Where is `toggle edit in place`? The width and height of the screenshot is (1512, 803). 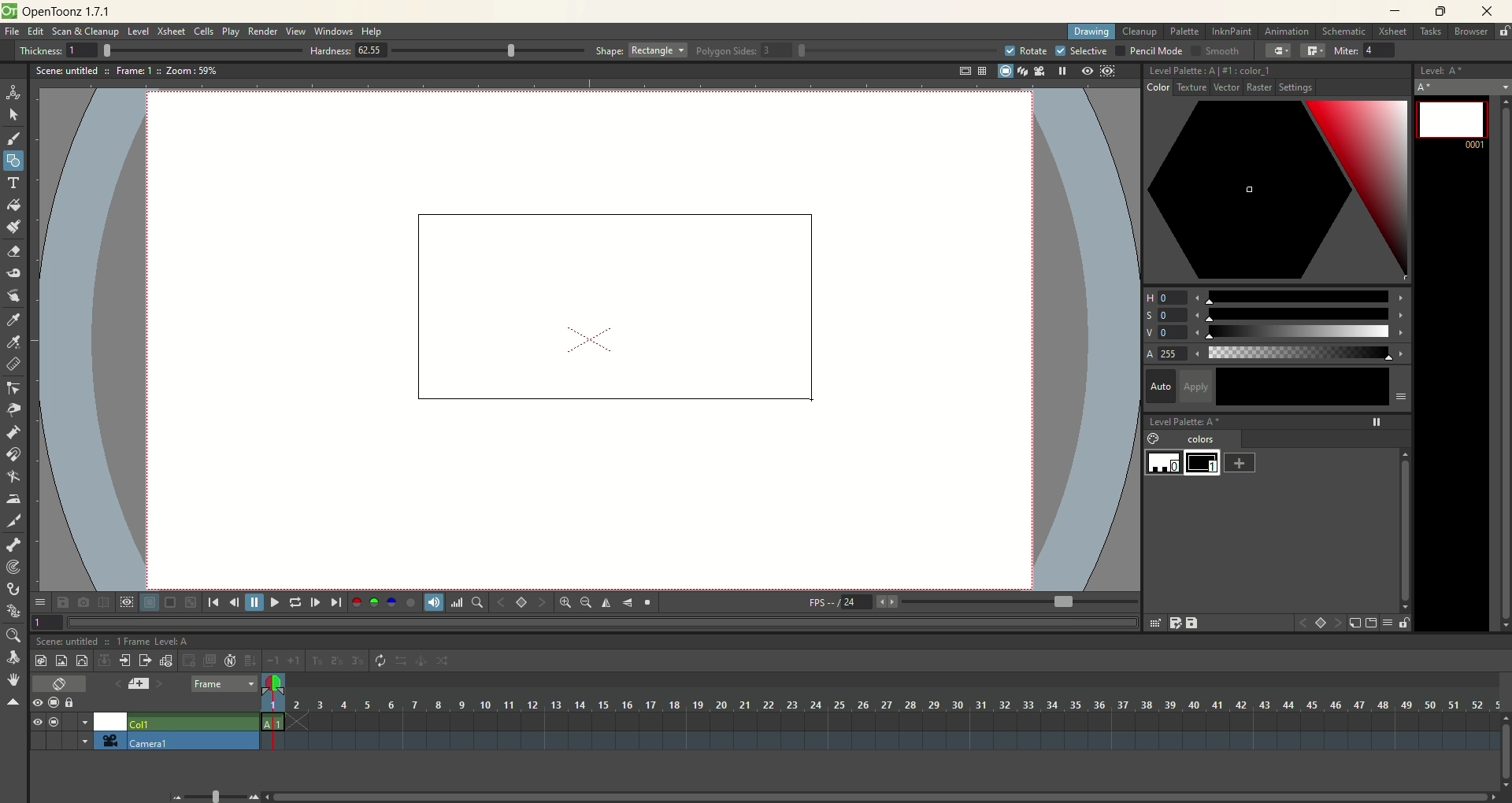 toggle edit in place is located at coordinates (168, 661).